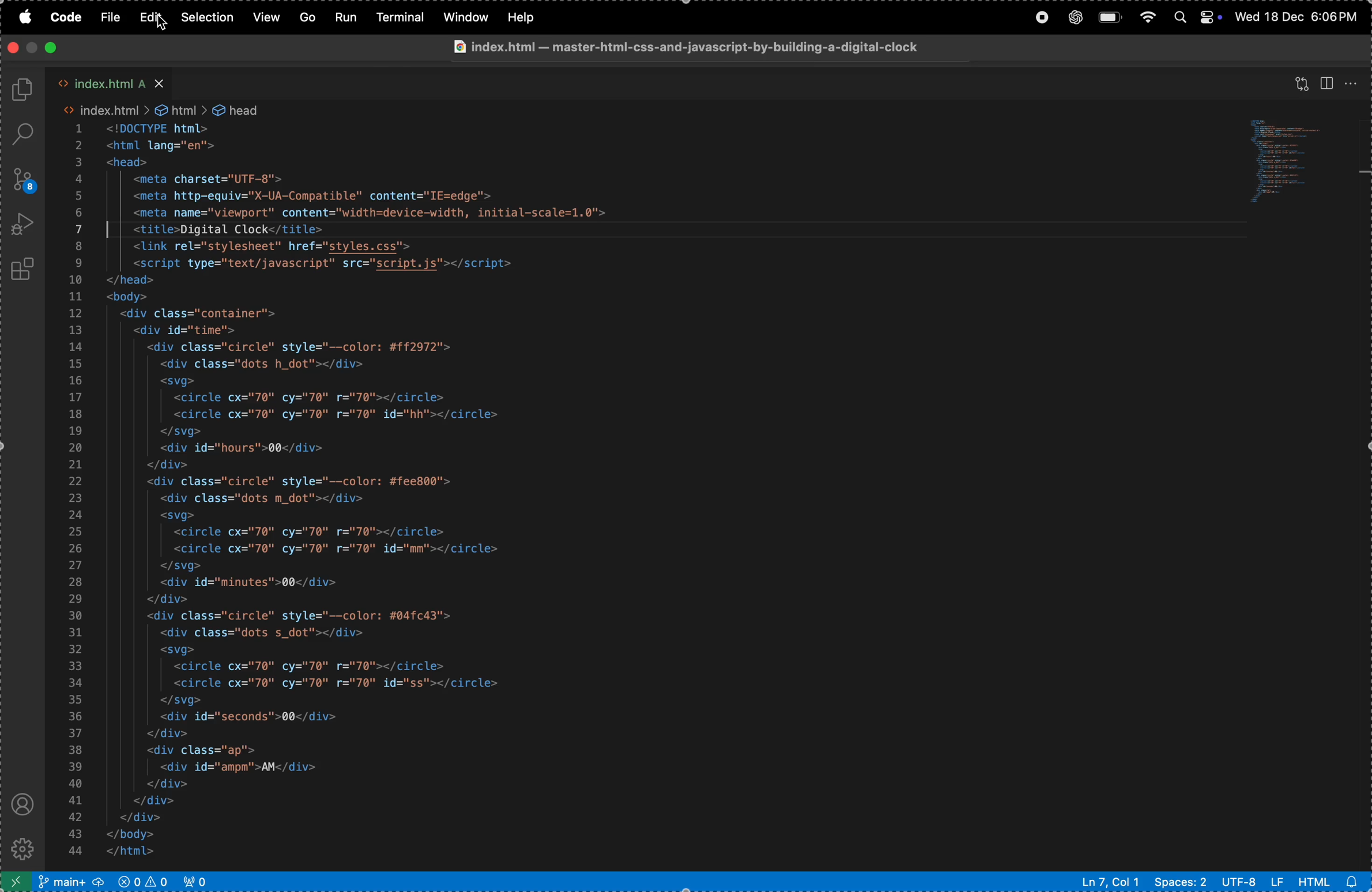 This screenshot has width=1372, height=892. Describe the element at coordinates (142, 880) in the screenshot. I see `no problem` at that location.